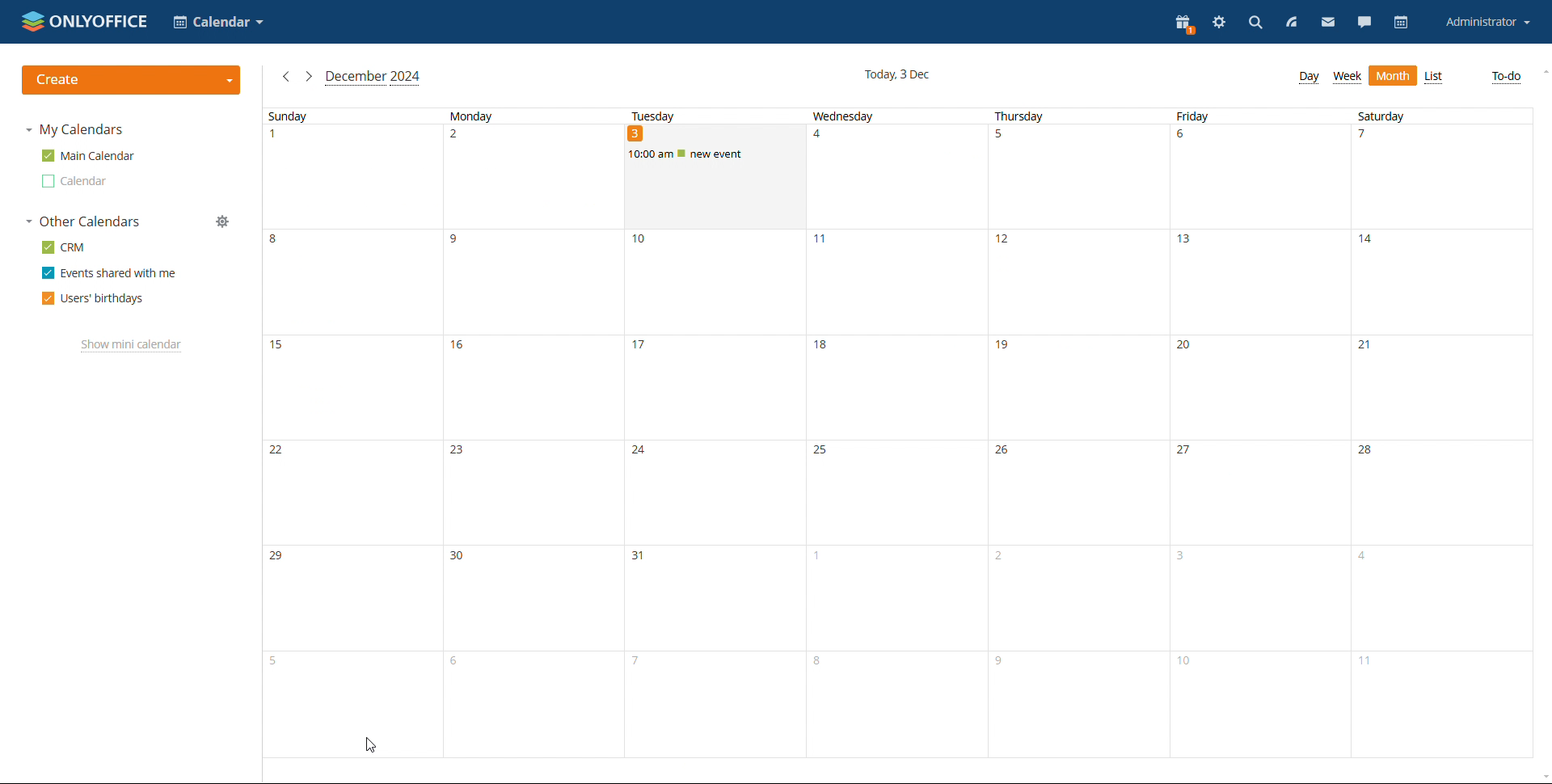 This screenshot has width=1552, height=784. I want to click on crm, so click(64, 247).